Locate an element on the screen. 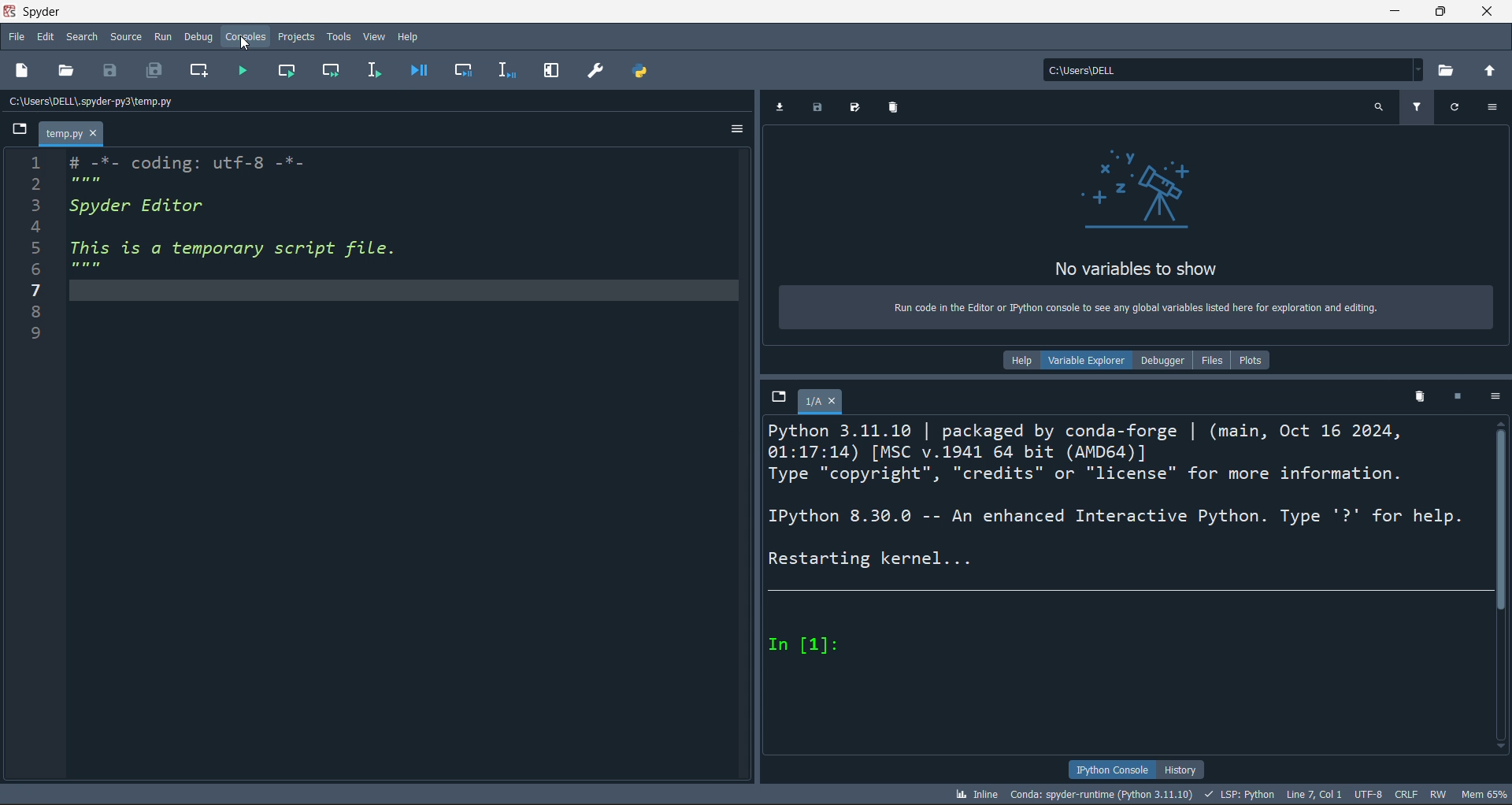 This screenshot has width=1512, height=805. more options is located at coordinates (1496, 396).